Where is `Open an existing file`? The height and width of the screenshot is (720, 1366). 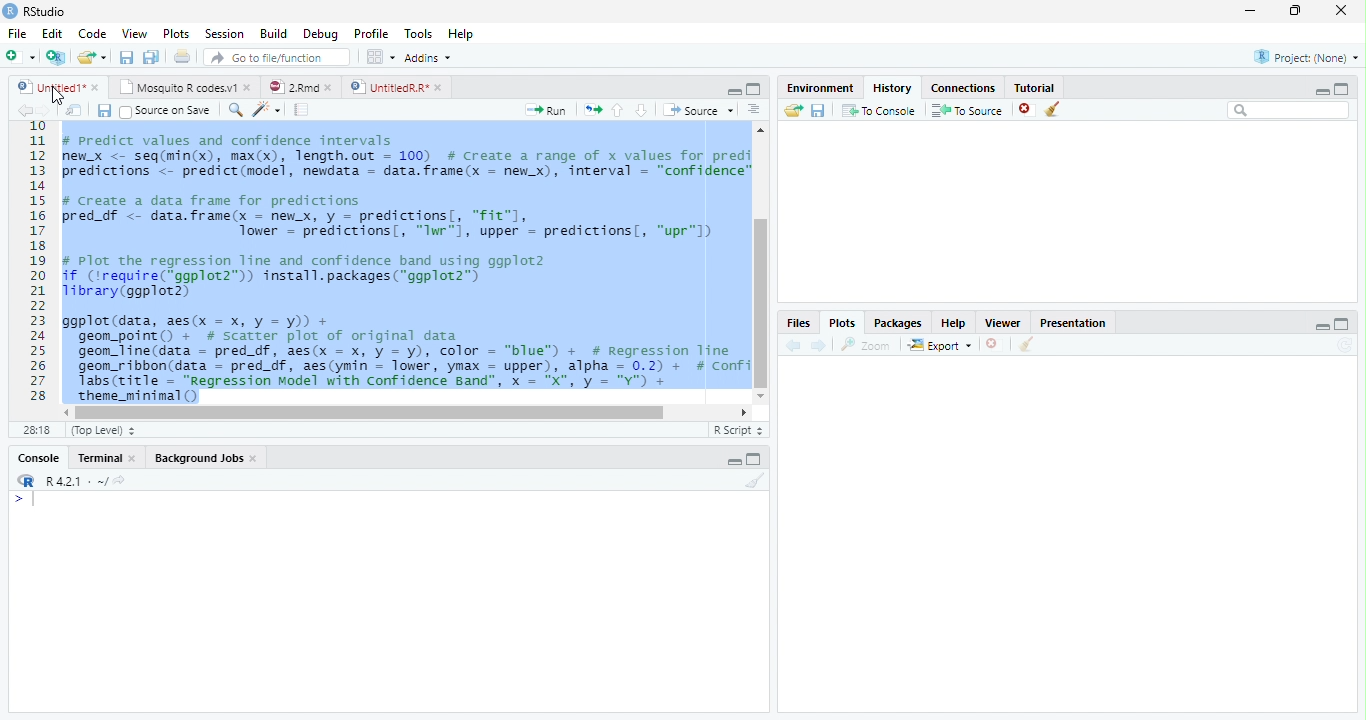
Open an existing file is located at coordinates (95, 59).